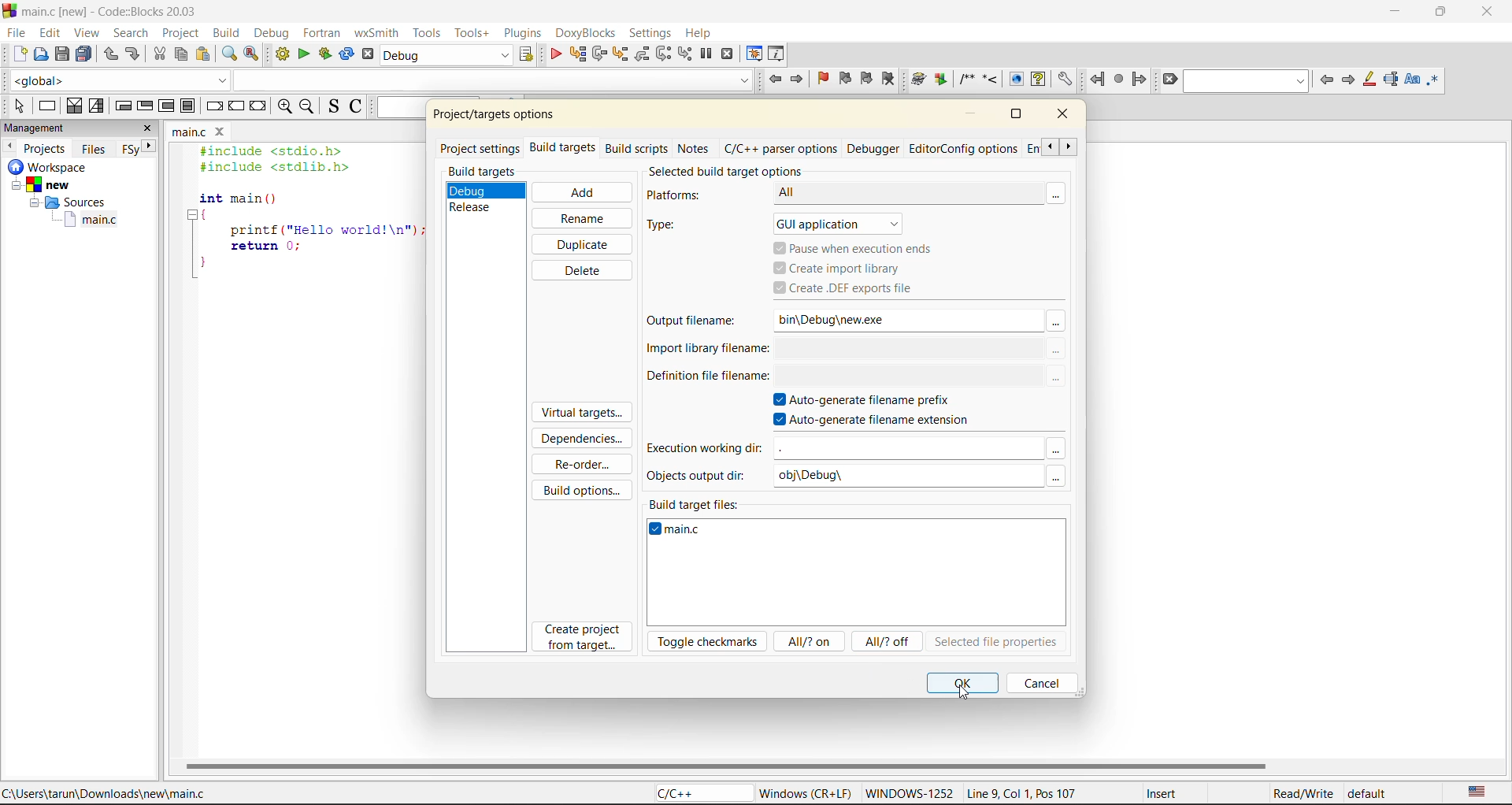 Image resolution: width=1512 pixels, height=805 pixels. I want to click on next, so click(1347, 82).